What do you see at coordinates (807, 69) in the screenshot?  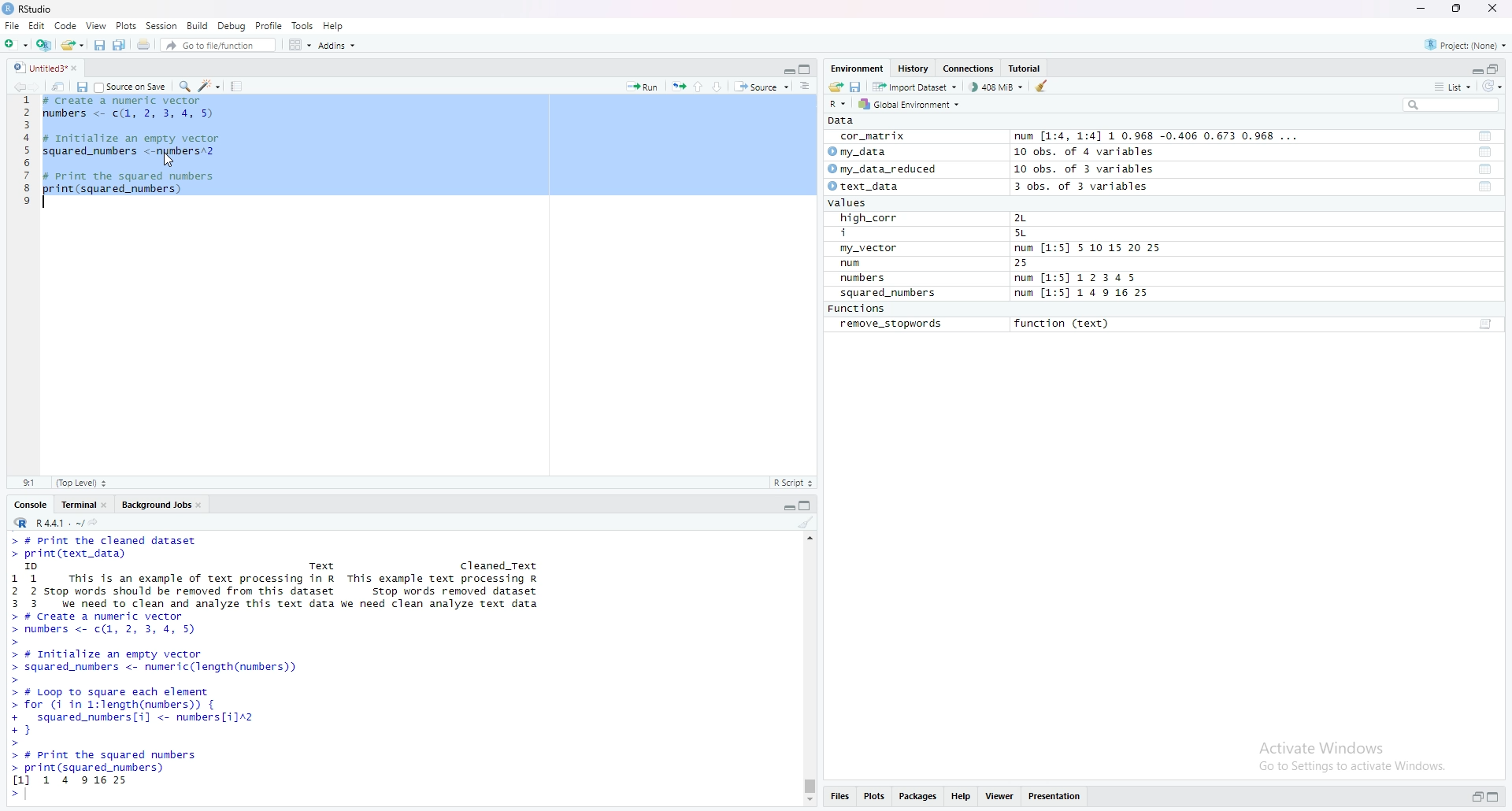 I see `maximize` at bounding box center [807, 69].